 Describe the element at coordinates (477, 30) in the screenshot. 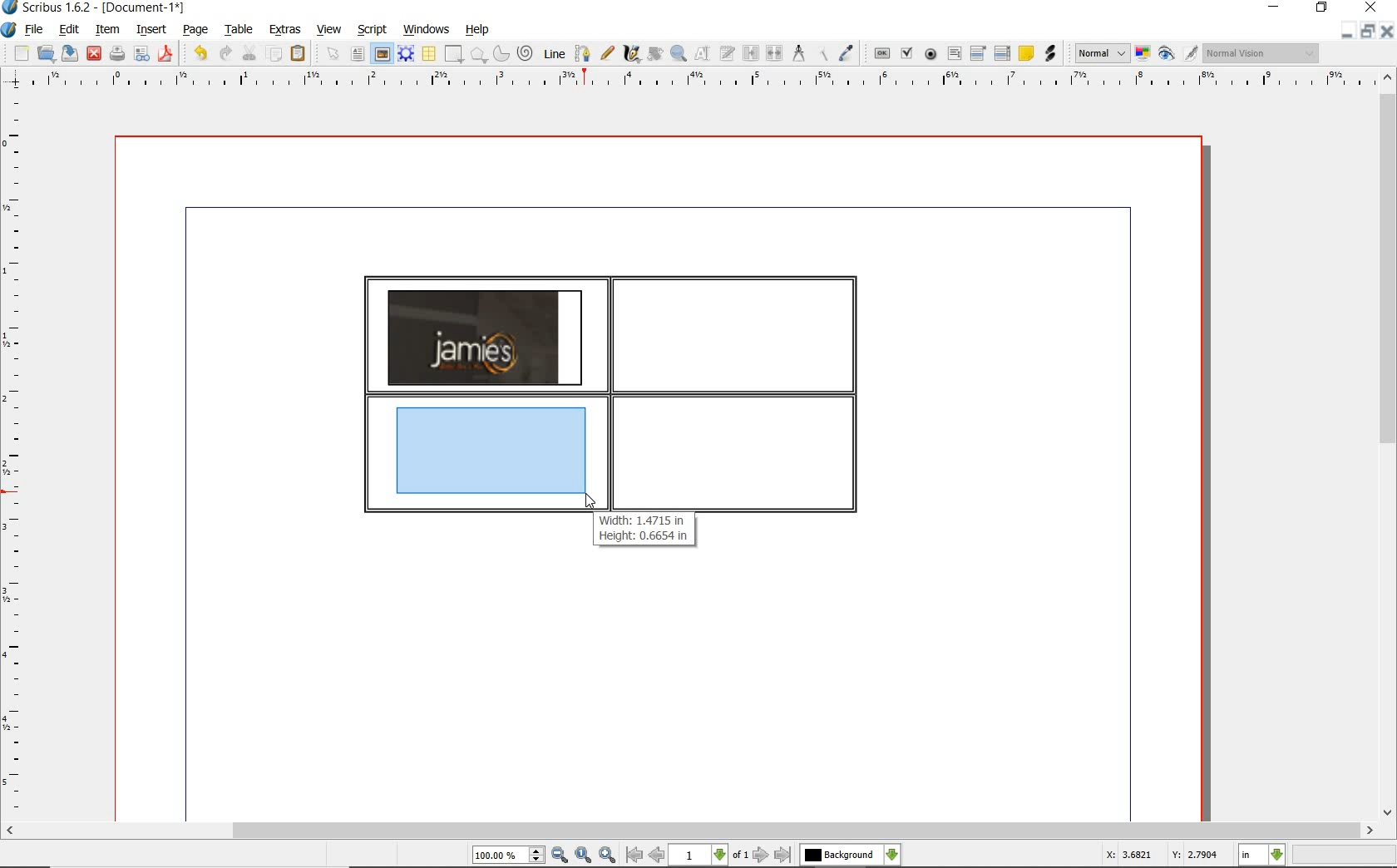

I see `help` at that location.